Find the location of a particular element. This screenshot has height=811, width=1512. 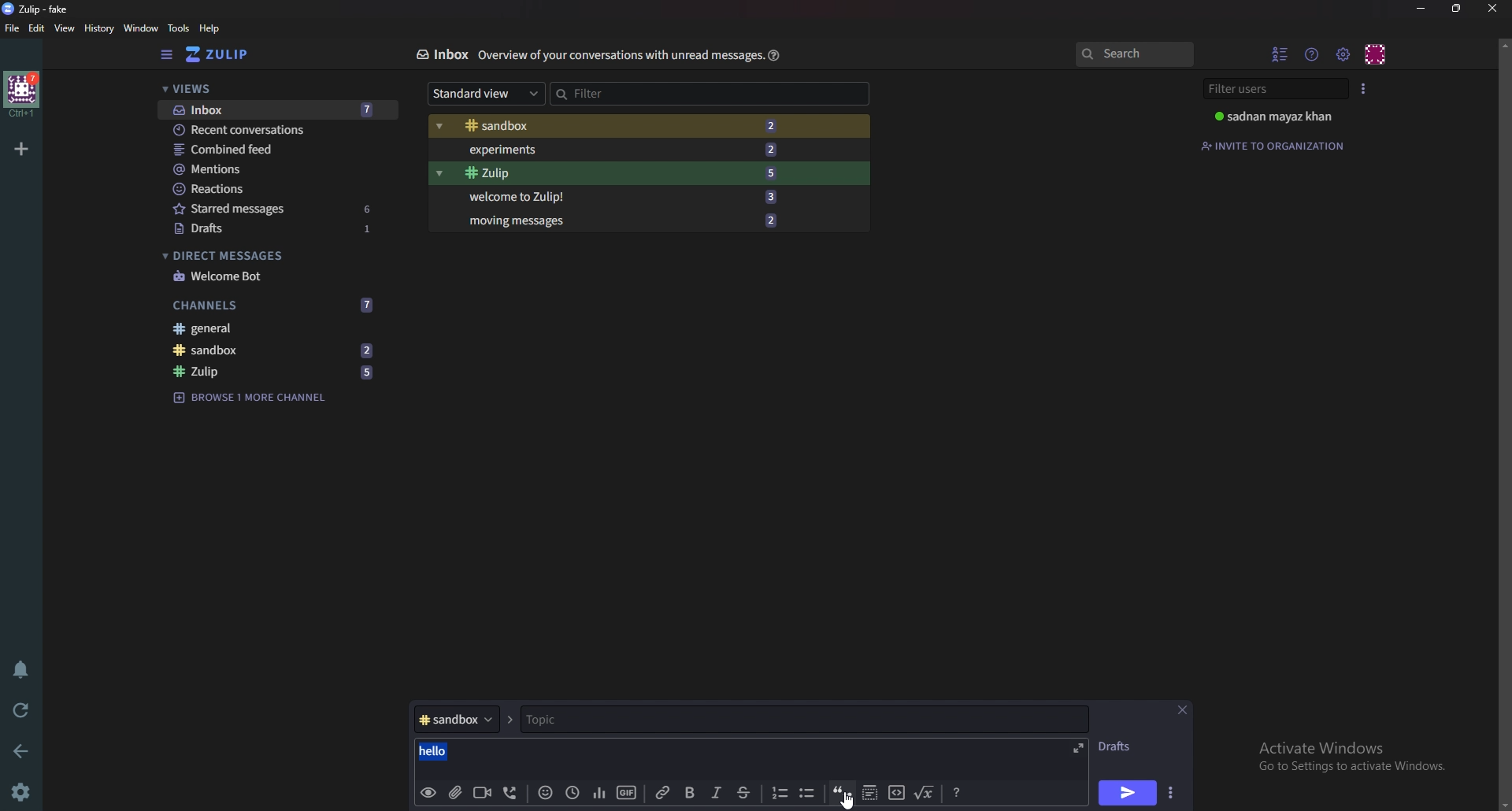

Reload is located at coordinates (24, 709).